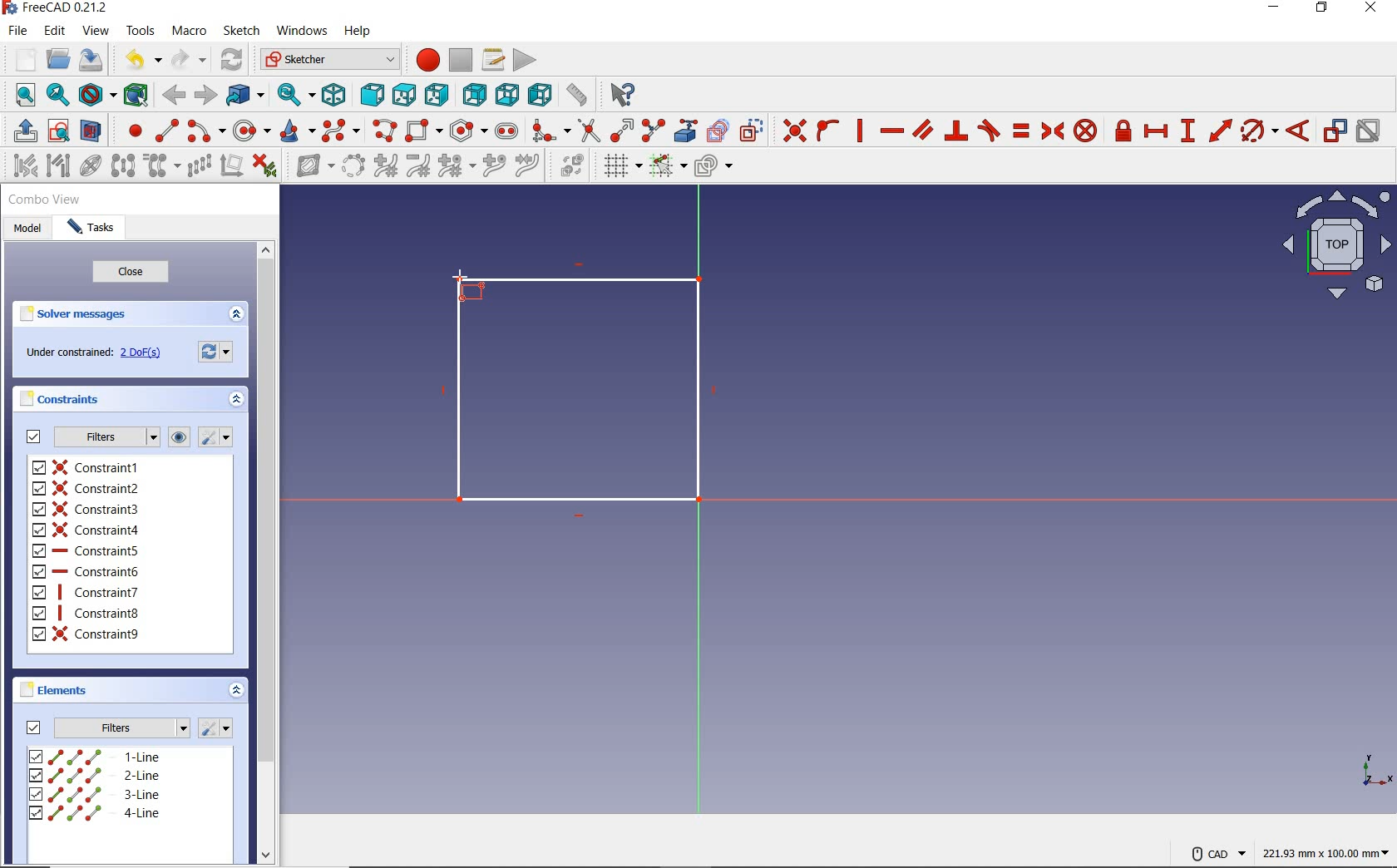 This screenshot has height=868, width=1397. Describe the element at coordinates (59, 132) in the screenshot. I see `view sketch` at that location.